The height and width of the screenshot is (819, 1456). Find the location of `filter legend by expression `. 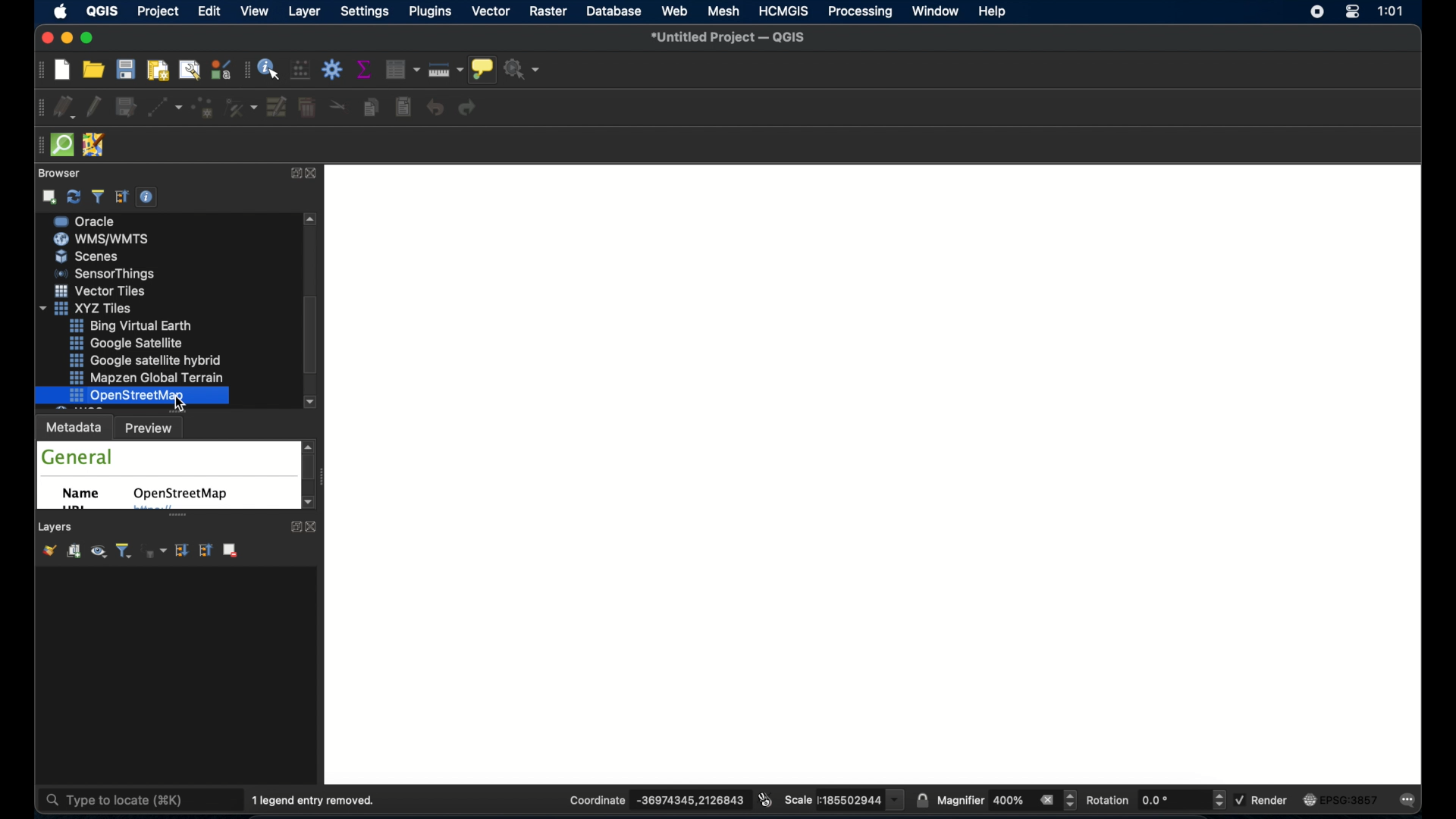

filter legend by expression  is located at coordinates (155, 551).